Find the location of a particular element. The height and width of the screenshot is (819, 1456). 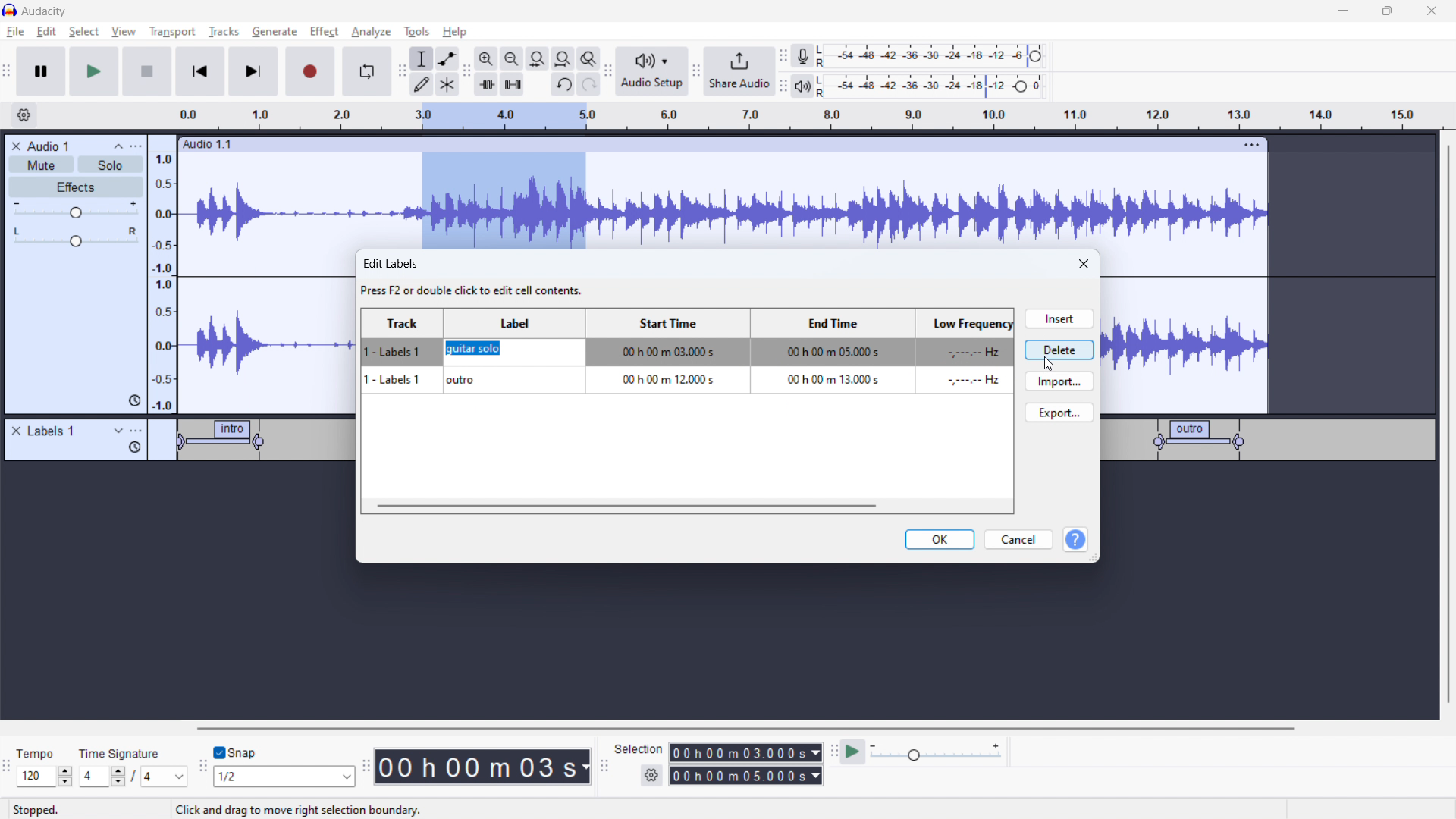

remove track is located at coordinates (16, 146).